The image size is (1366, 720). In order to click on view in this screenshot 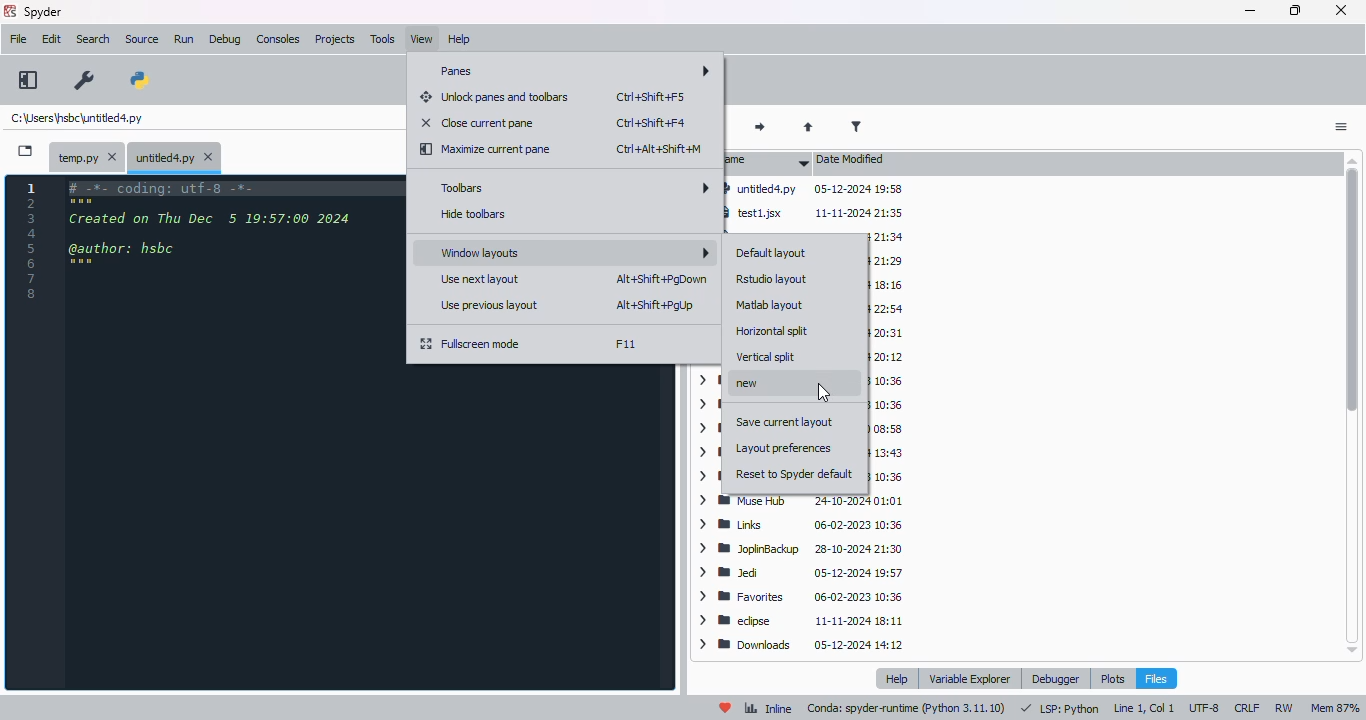, I will do `click(422, 39)`.